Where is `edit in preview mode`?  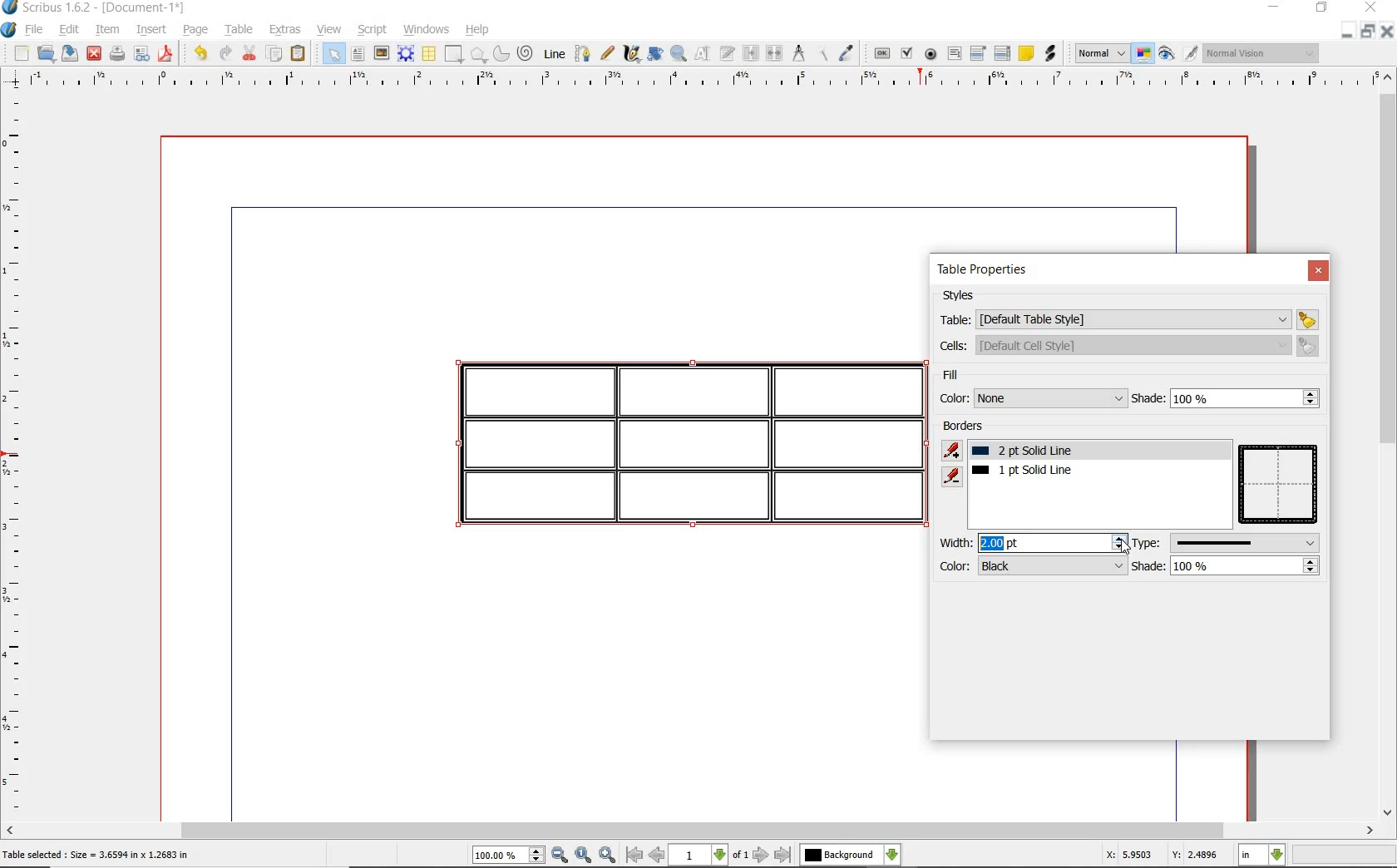 edit in preview mode is located at coordinates (1190, 54).